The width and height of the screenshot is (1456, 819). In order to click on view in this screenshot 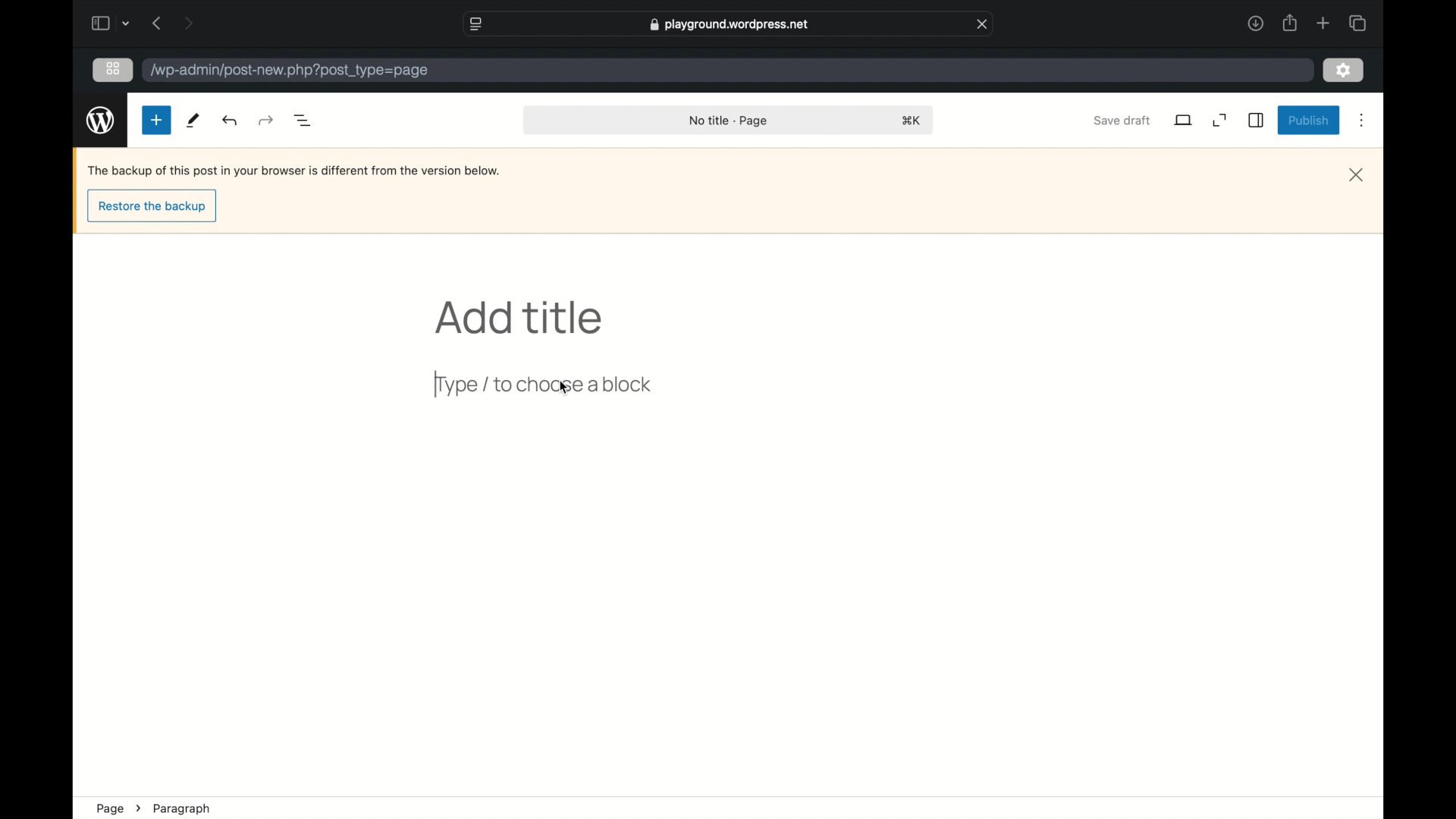, I will do `click(1184, 120)`.